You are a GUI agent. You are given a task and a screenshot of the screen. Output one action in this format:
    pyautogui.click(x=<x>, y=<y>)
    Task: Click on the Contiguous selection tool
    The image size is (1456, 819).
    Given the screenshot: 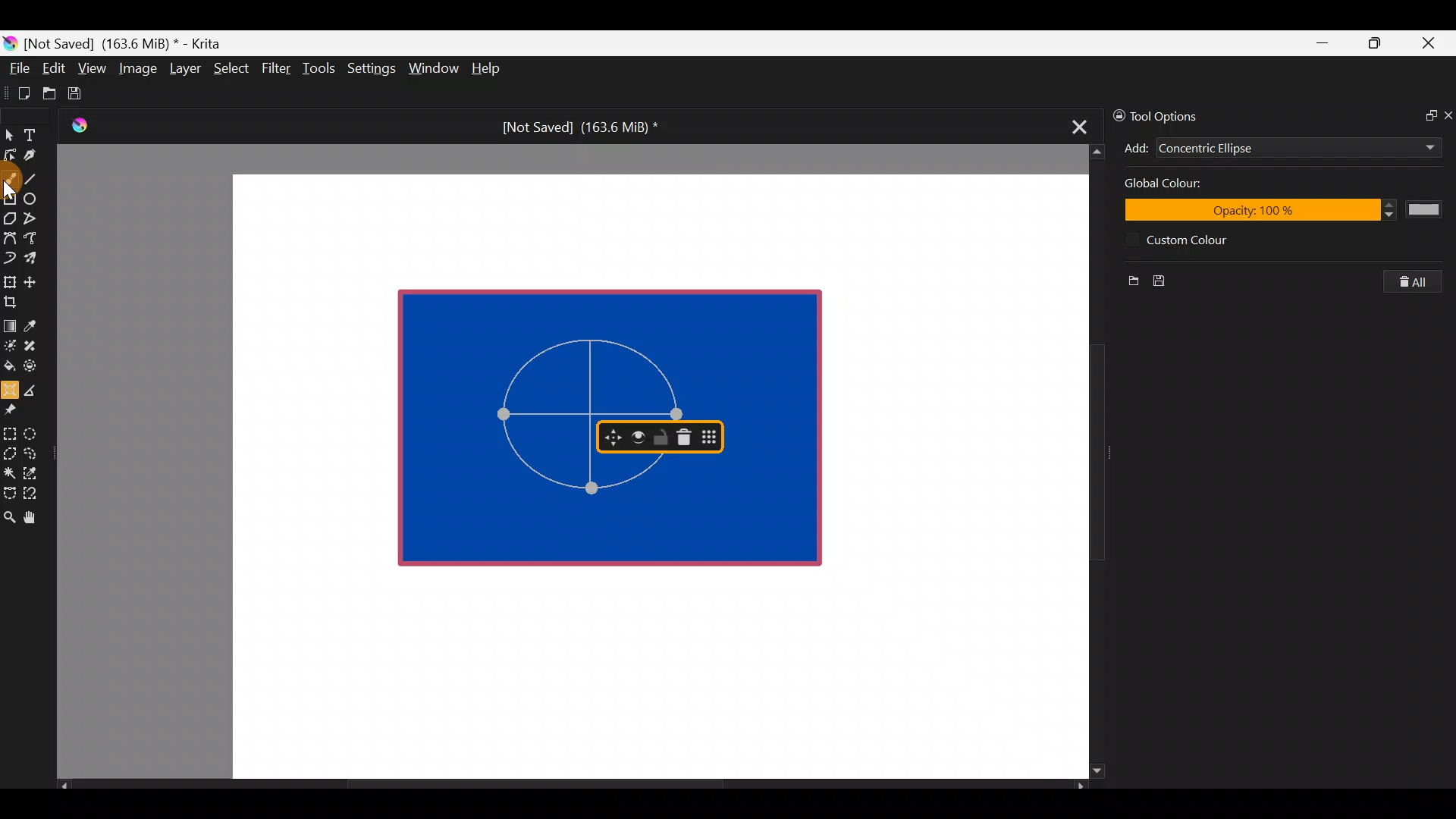 What is the action you would take?
    pyautogui.click(x=9, y=469)
    